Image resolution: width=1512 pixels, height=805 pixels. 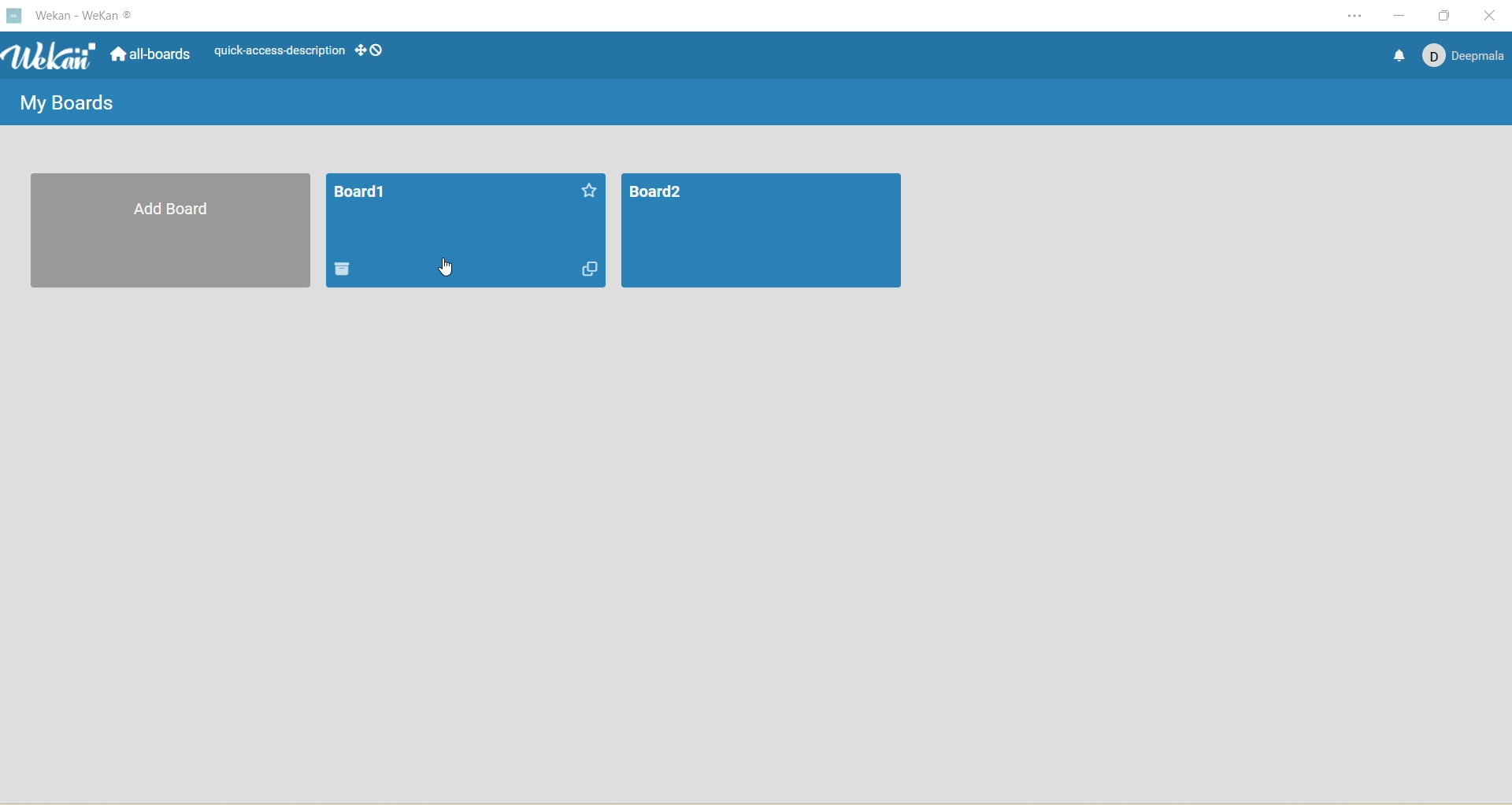 I want to click on maximize, so click(x=1449, y=14).